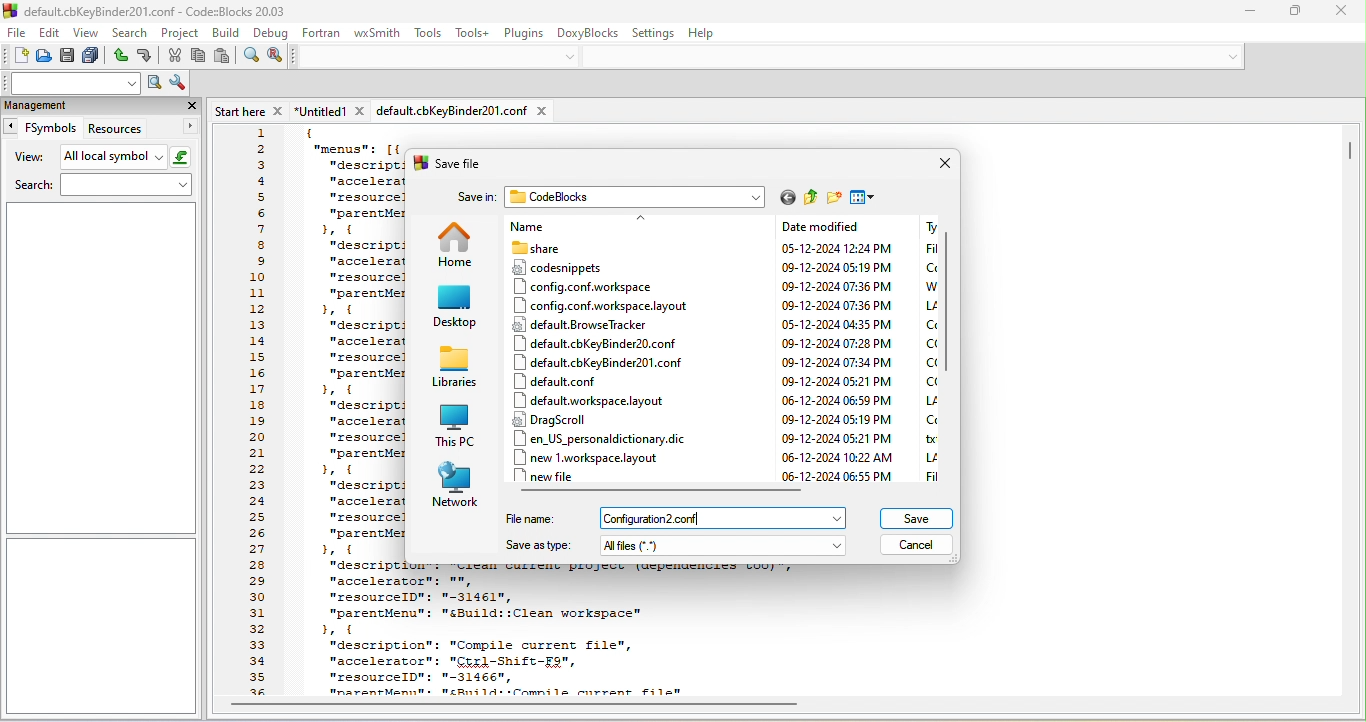  What do you see at coordinates (224, 57) in the screenshot?
I see `paste` at bounding box center [224, 57].